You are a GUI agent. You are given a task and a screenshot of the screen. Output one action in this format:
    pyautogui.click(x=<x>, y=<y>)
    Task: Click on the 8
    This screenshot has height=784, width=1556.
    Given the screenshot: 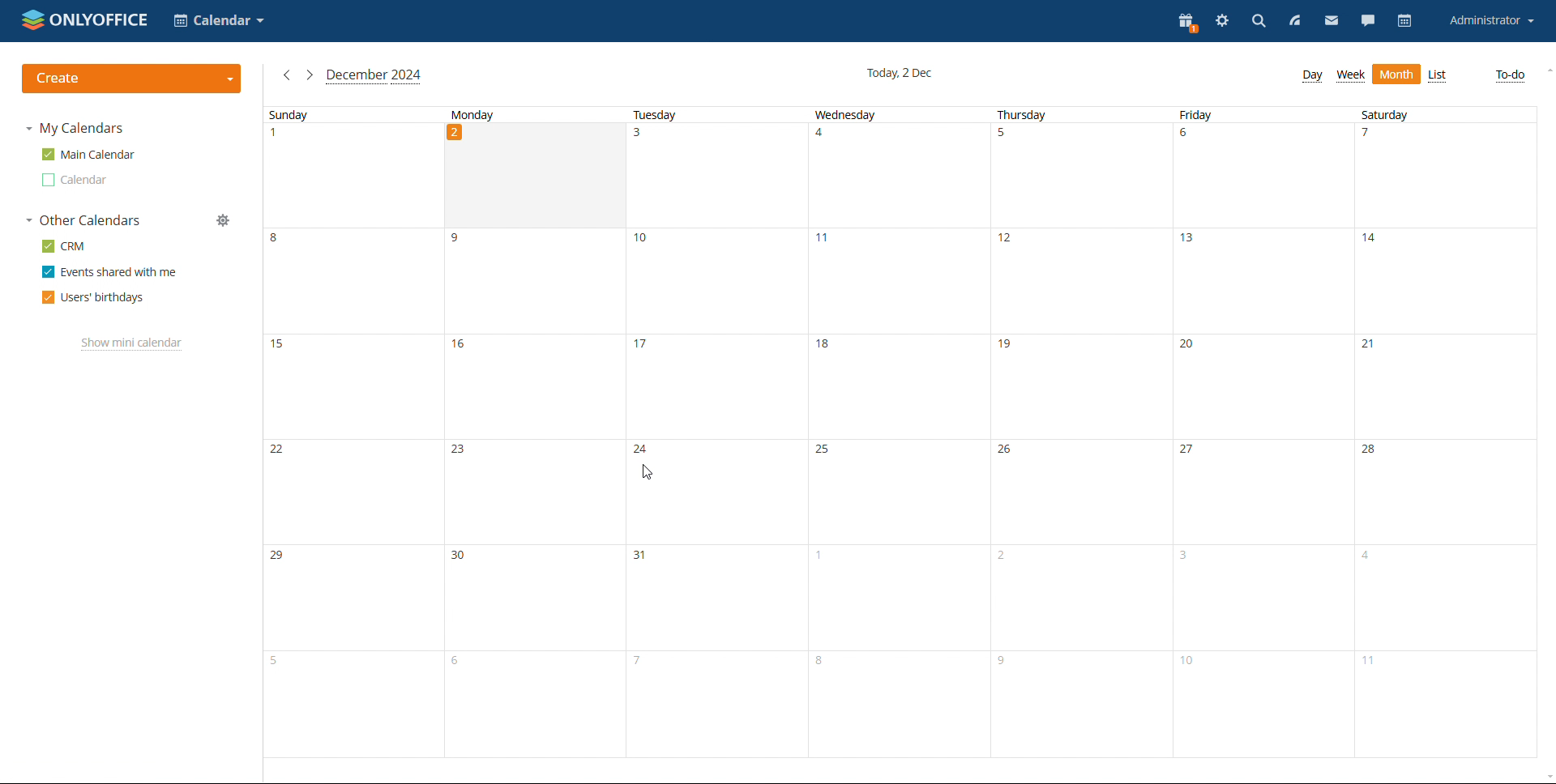 What is the action you would take?
    pyautogui.click(x=820, y=662)
    